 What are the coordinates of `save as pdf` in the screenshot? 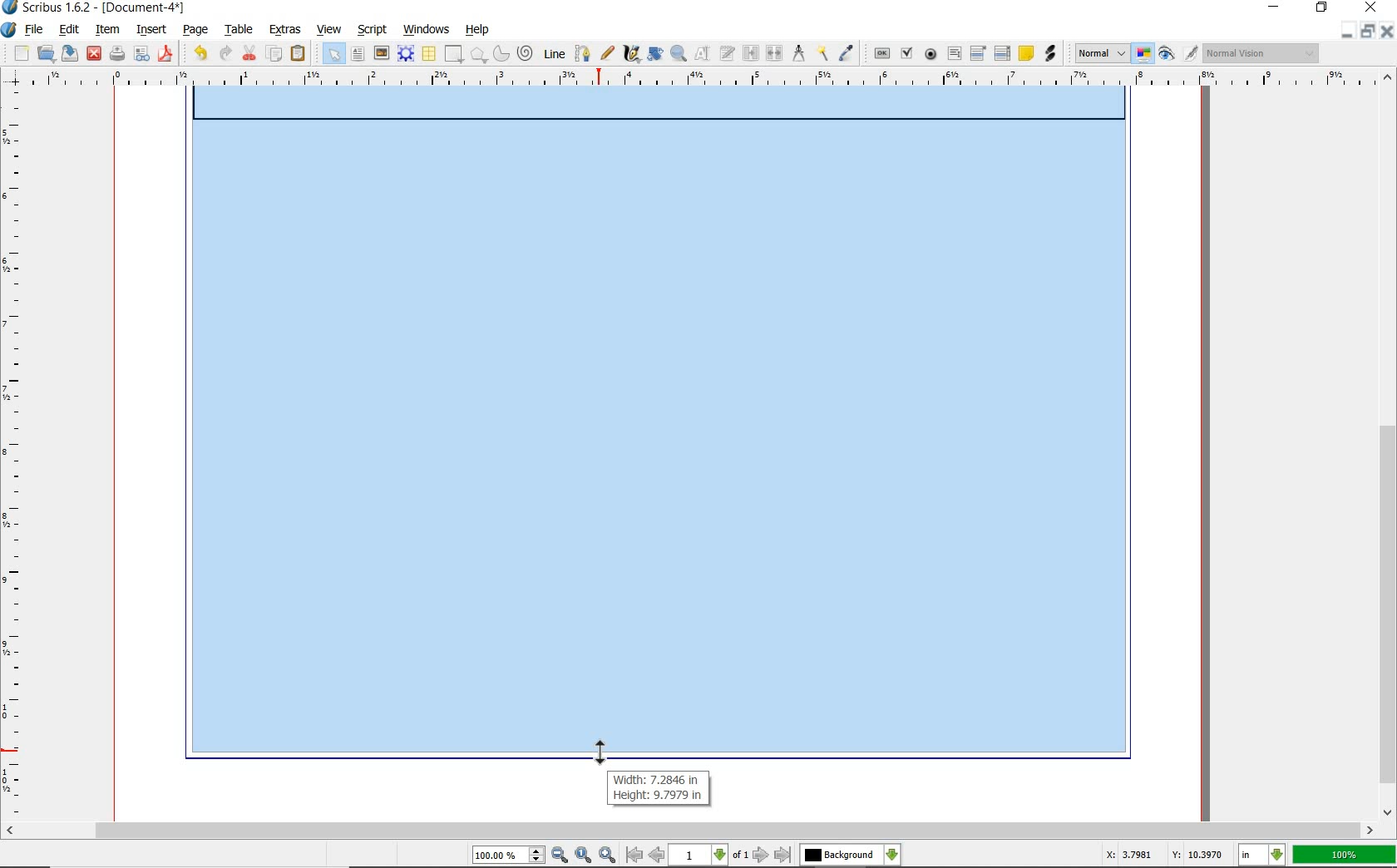 It's located at (166, 53).